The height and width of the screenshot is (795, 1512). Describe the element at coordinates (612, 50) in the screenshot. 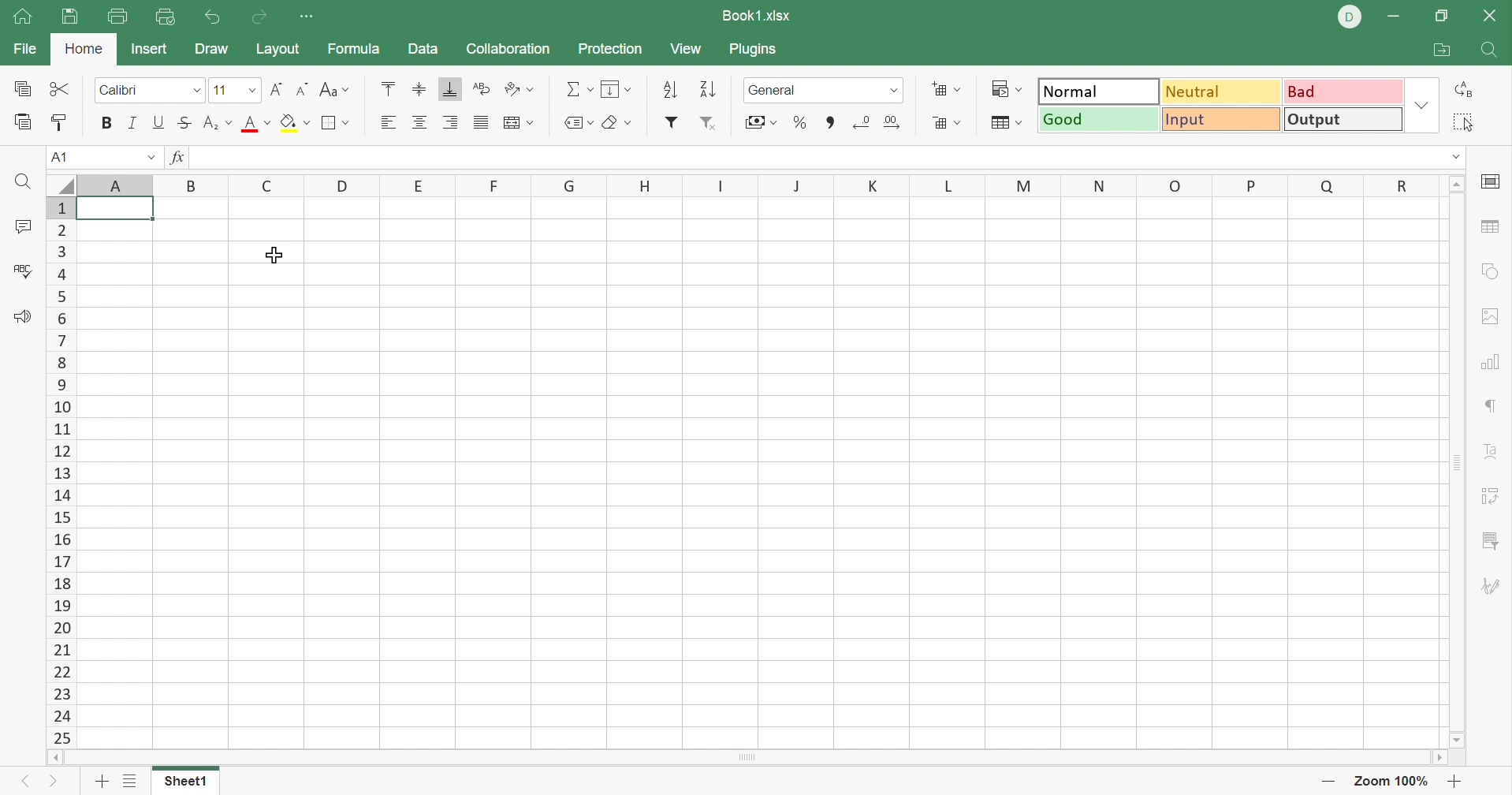

I see `Protection` at that location.